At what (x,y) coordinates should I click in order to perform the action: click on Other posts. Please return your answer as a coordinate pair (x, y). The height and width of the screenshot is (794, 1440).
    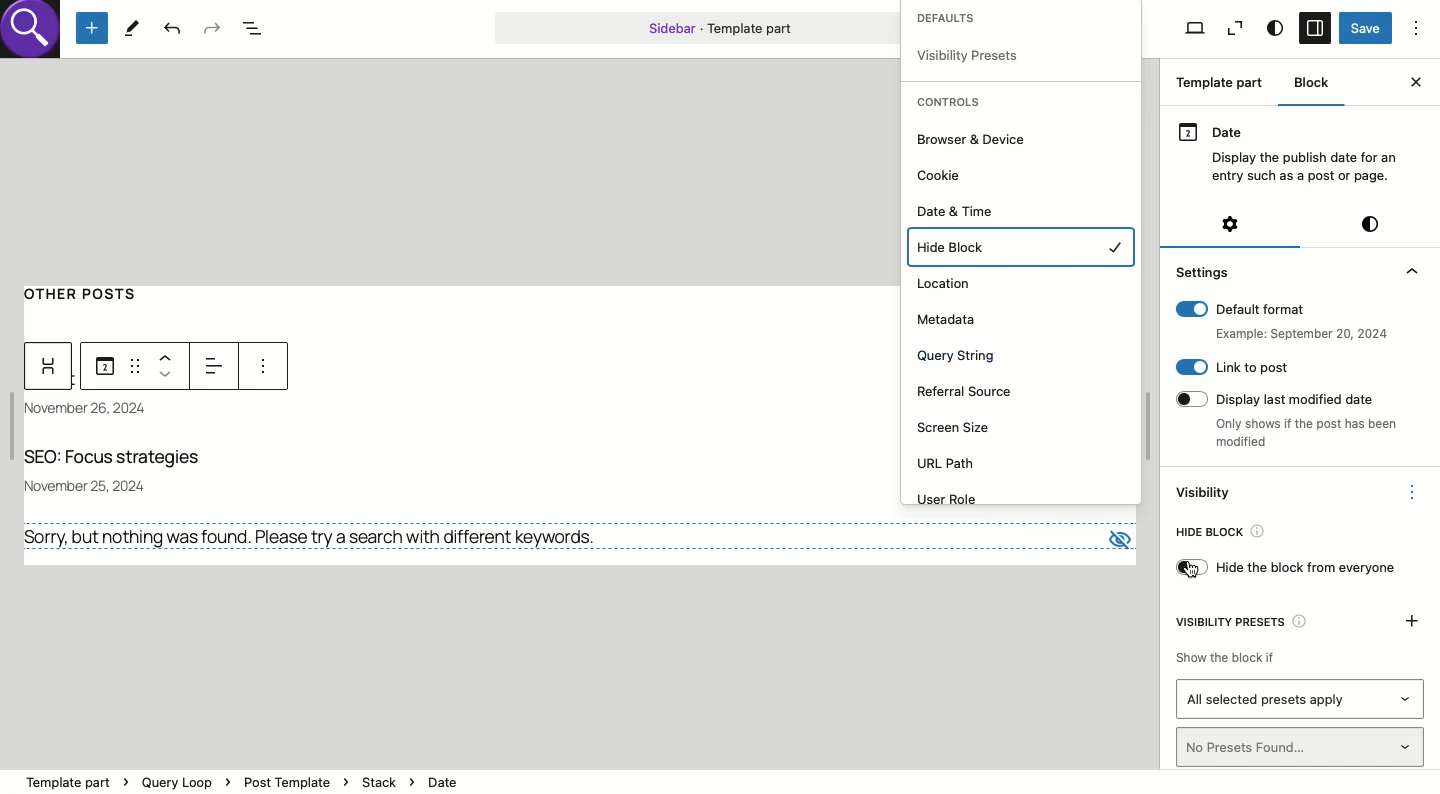
    Looking at the image, I should click on (91, 291).